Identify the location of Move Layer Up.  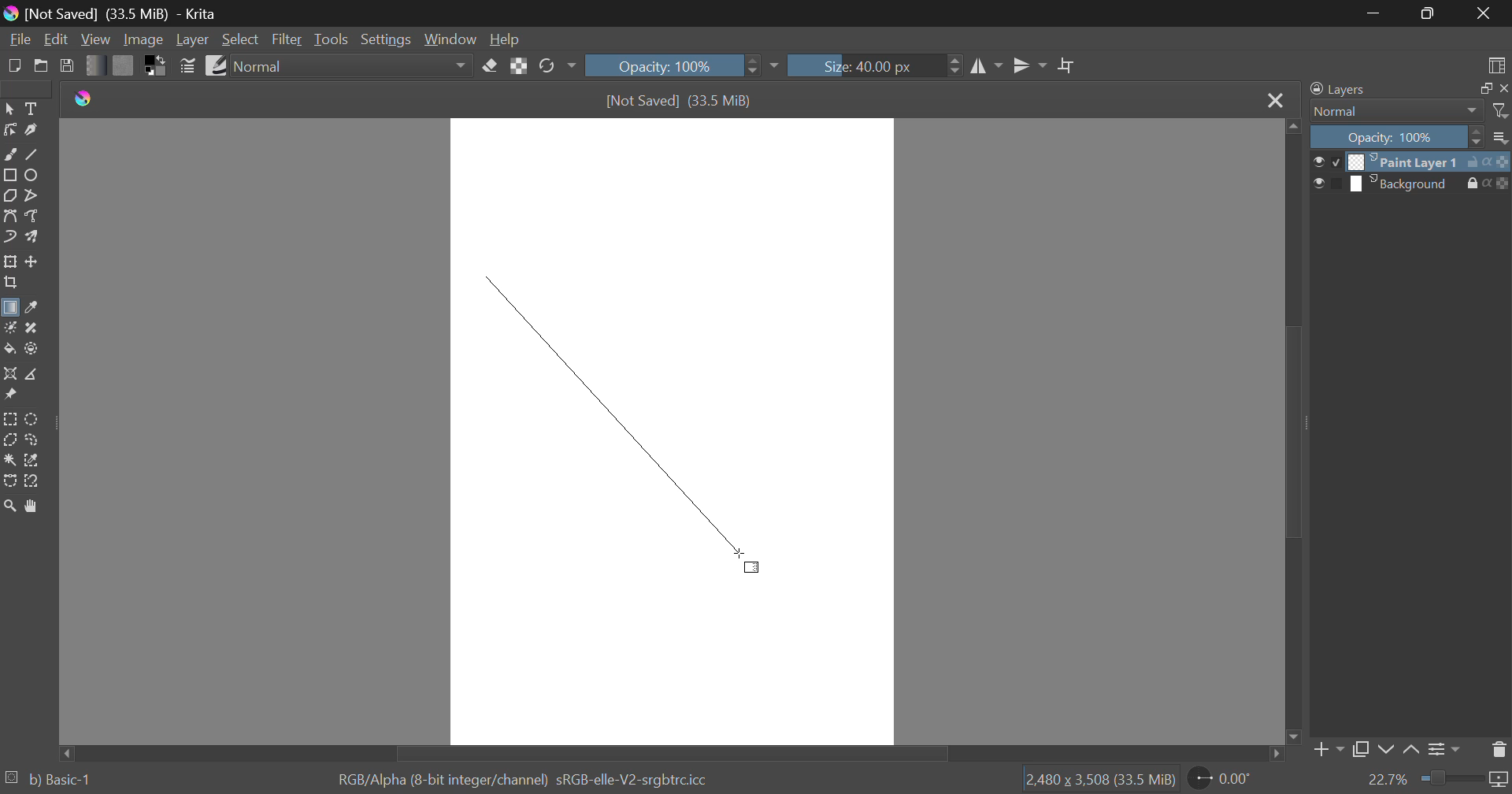
(1412, 751).